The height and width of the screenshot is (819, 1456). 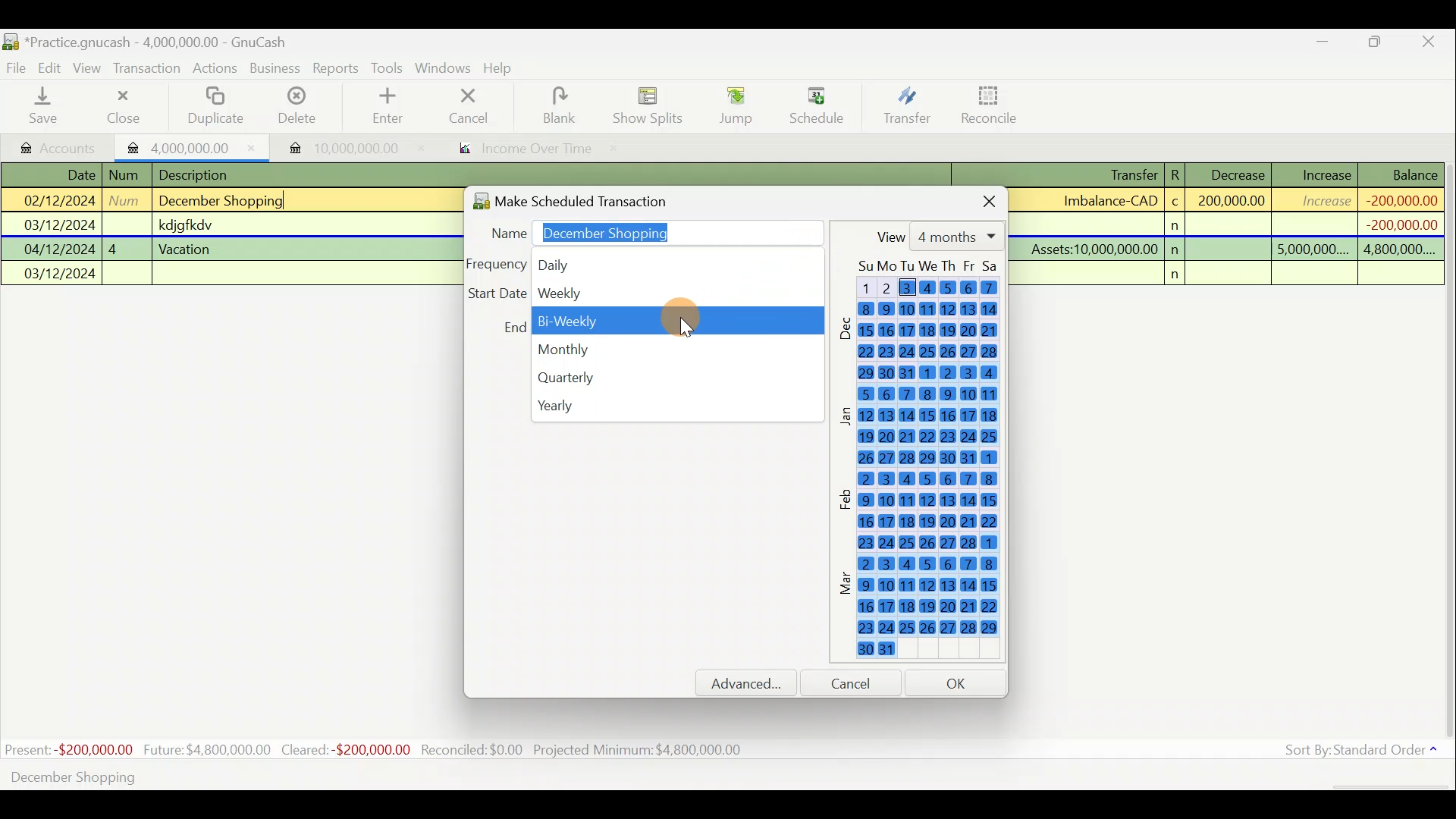 I want to click on Transaction, so click(x=148, y=68).